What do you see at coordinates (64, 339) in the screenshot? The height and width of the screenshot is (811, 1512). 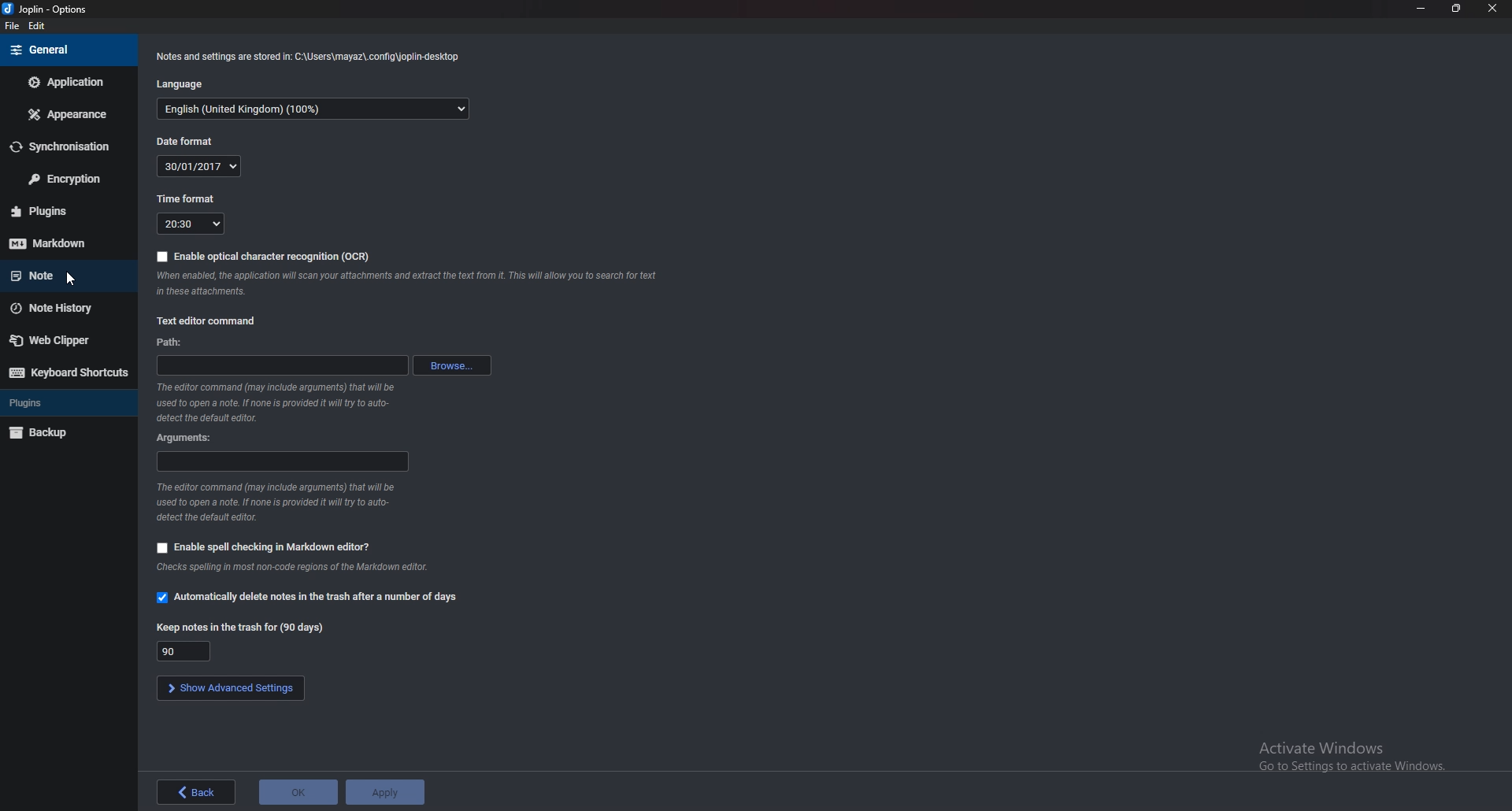 I see `Web clipper` at bounding box center [64, 339].